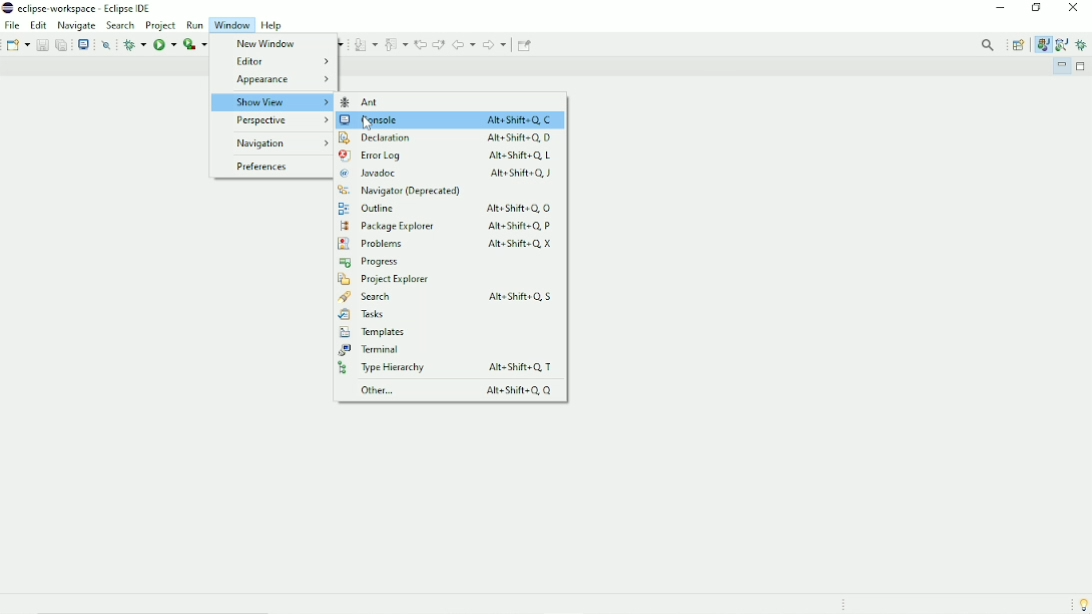  What do you see at coordinates (12, 25) in the screenshot?
I see `File` at bounding box center [12, 25].